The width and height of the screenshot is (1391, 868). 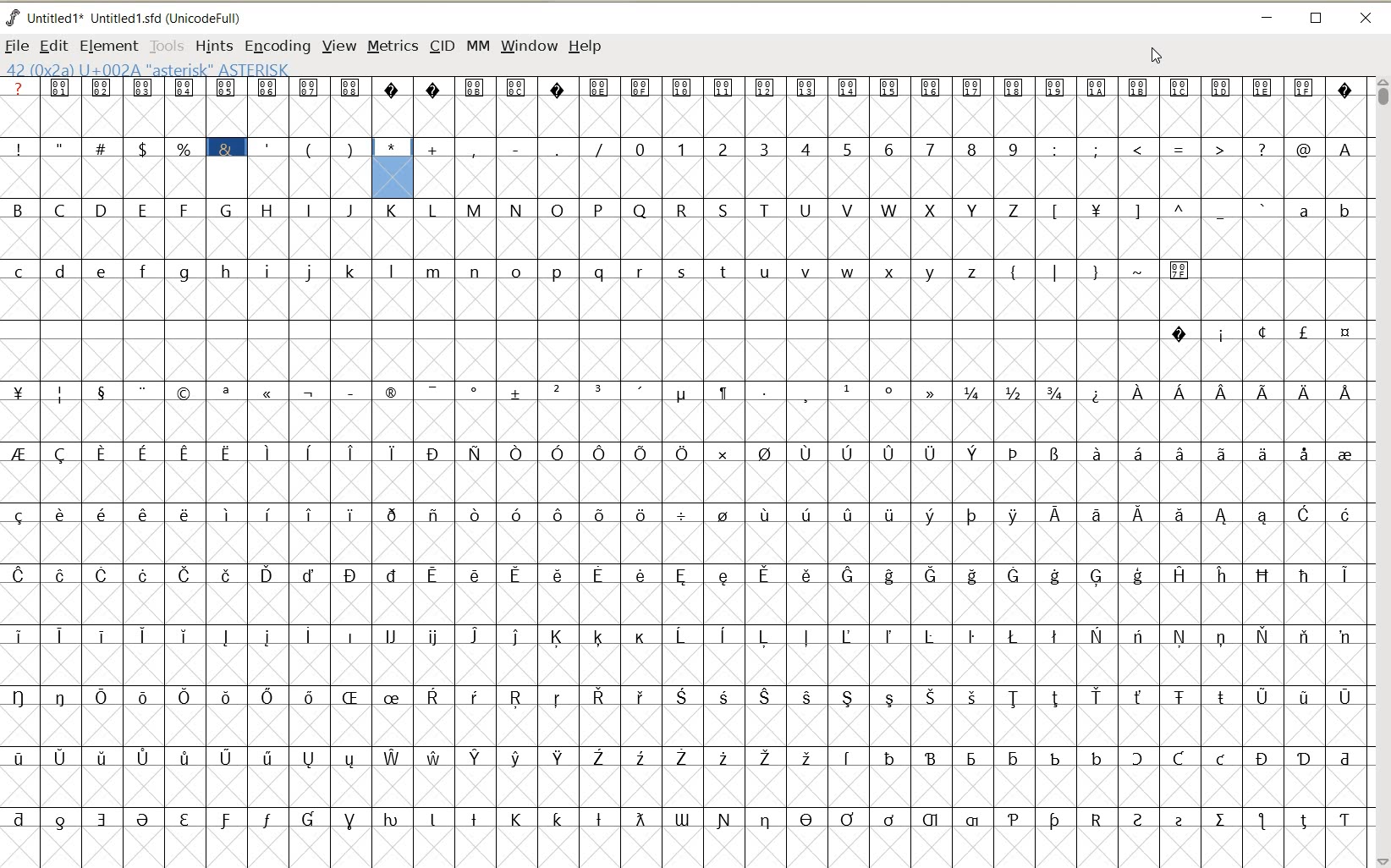 I want to click on TOOLS, so click(x=166, y=46).